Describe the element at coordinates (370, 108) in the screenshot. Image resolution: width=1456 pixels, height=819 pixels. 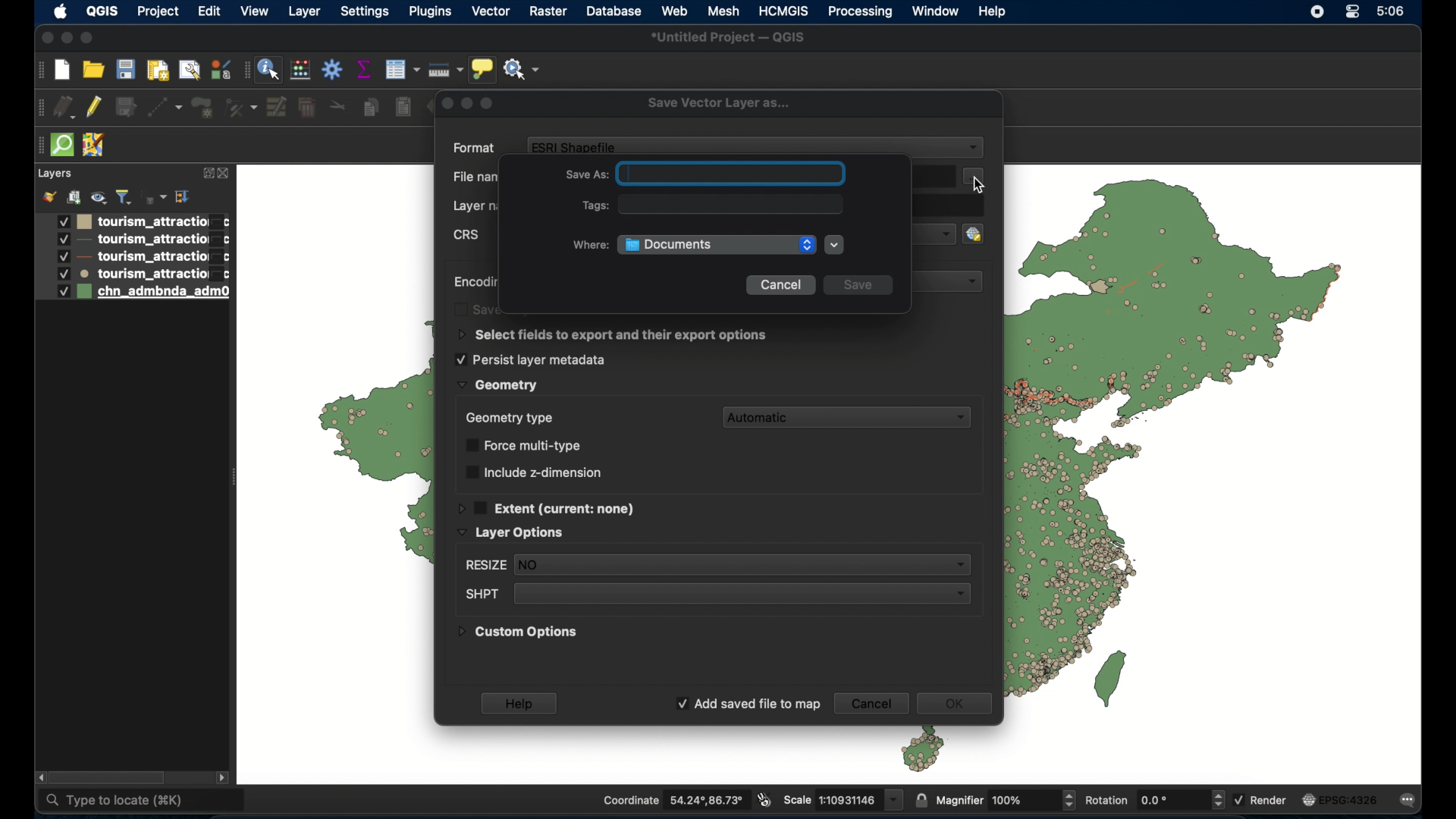
I see `copy features` at that location.